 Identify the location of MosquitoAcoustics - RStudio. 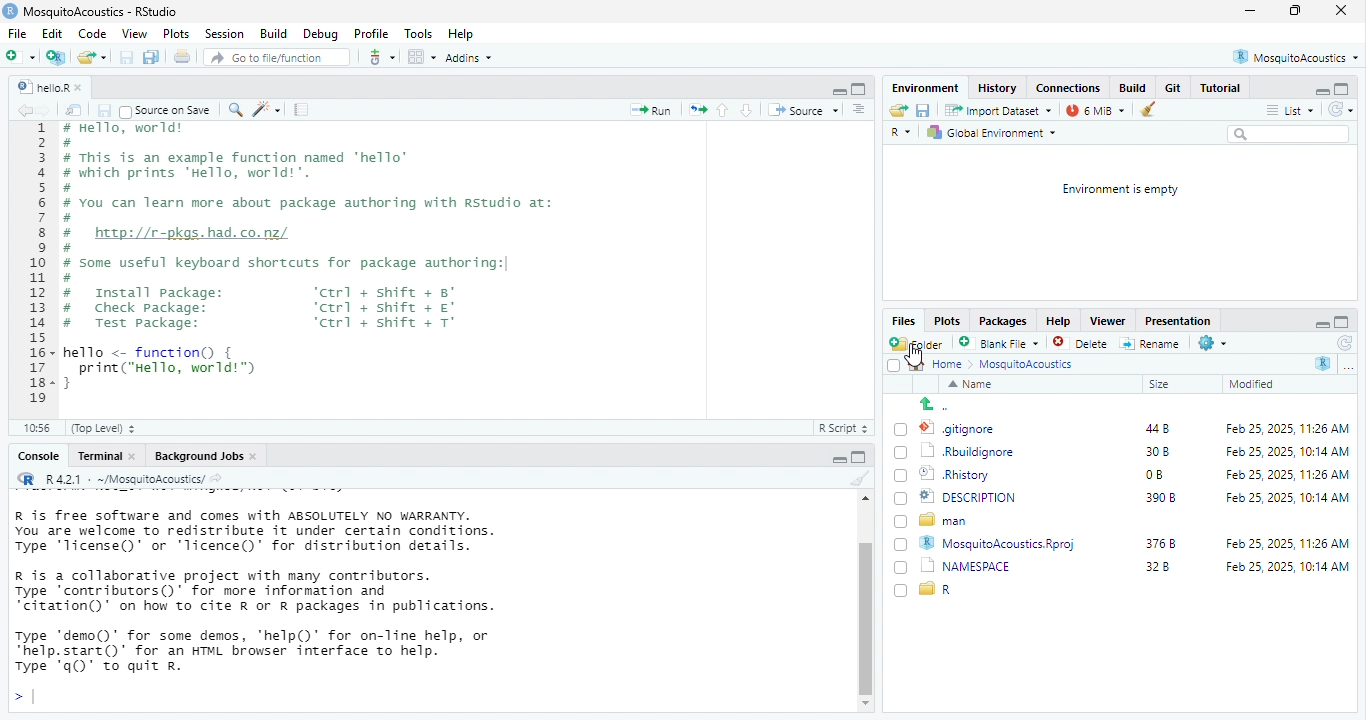
(104, 12).